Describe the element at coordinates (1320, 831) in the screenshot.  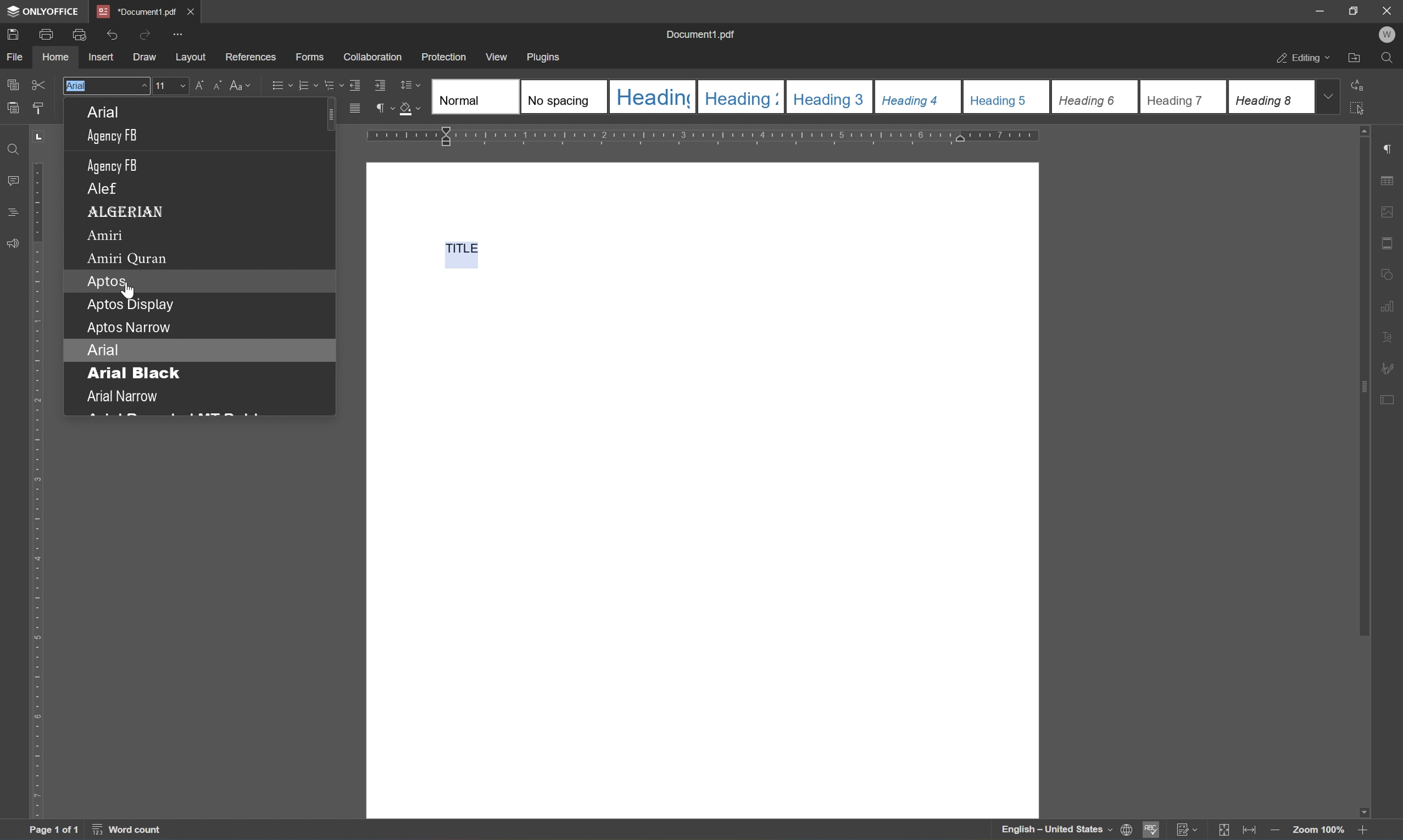
I see `Zoom 100%` at that location.